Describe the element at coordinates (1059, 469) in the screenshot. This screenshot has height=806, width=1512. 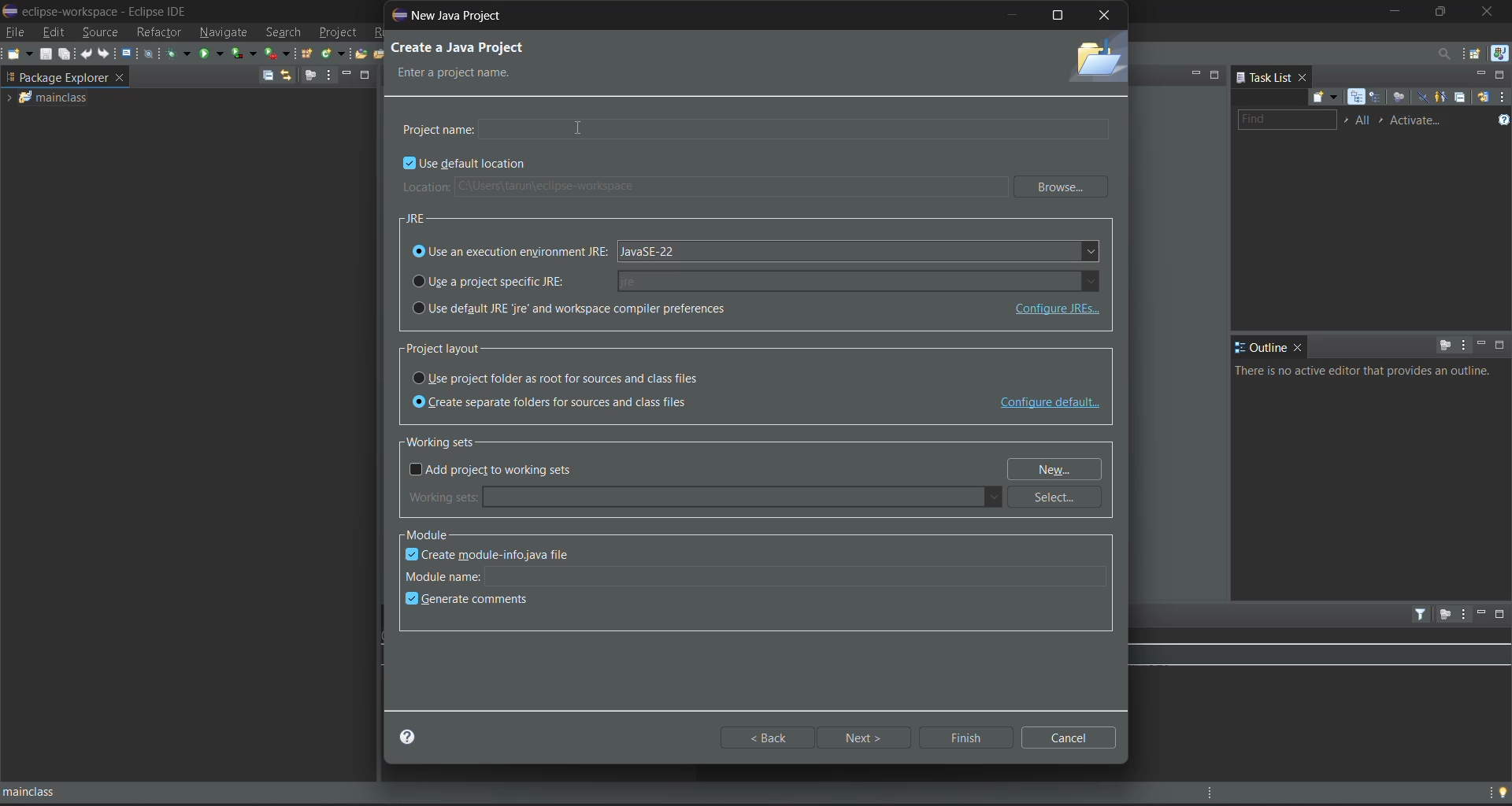
I see `new` at that location.